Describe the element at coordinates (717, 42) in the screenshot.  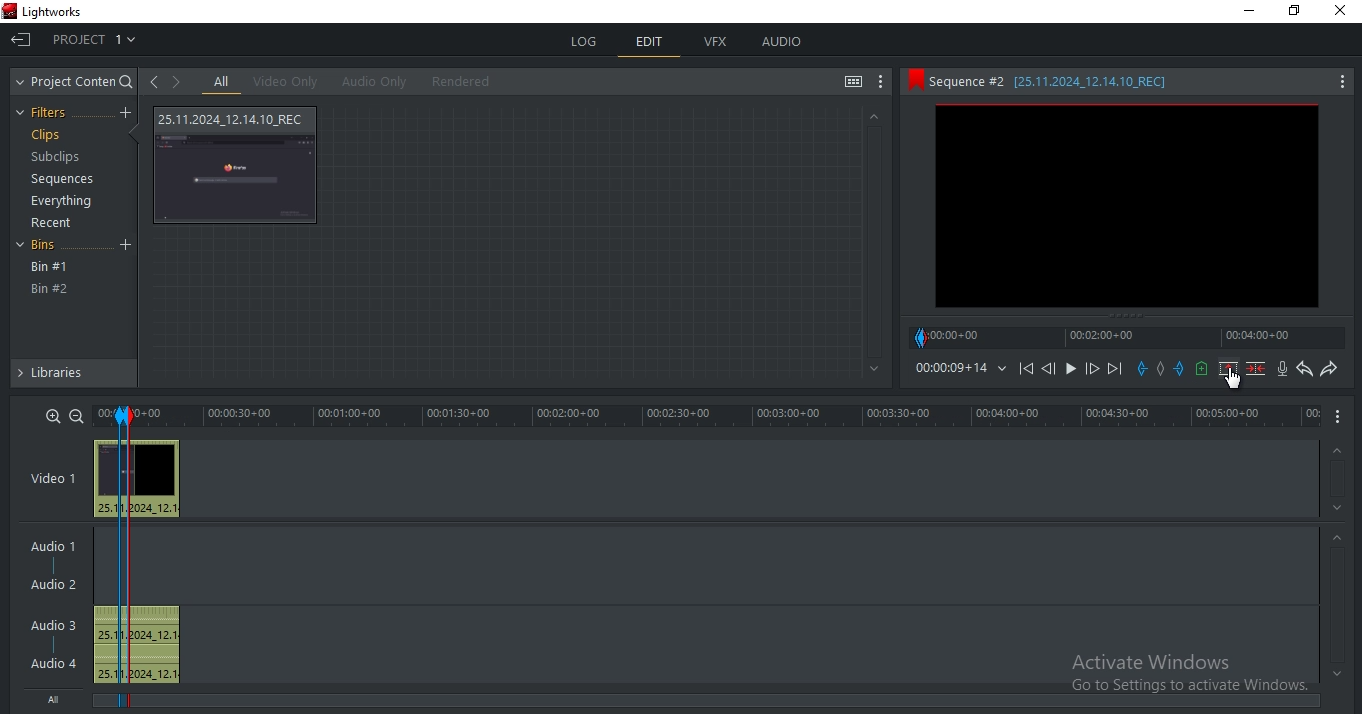
I see `vfx` at that location.